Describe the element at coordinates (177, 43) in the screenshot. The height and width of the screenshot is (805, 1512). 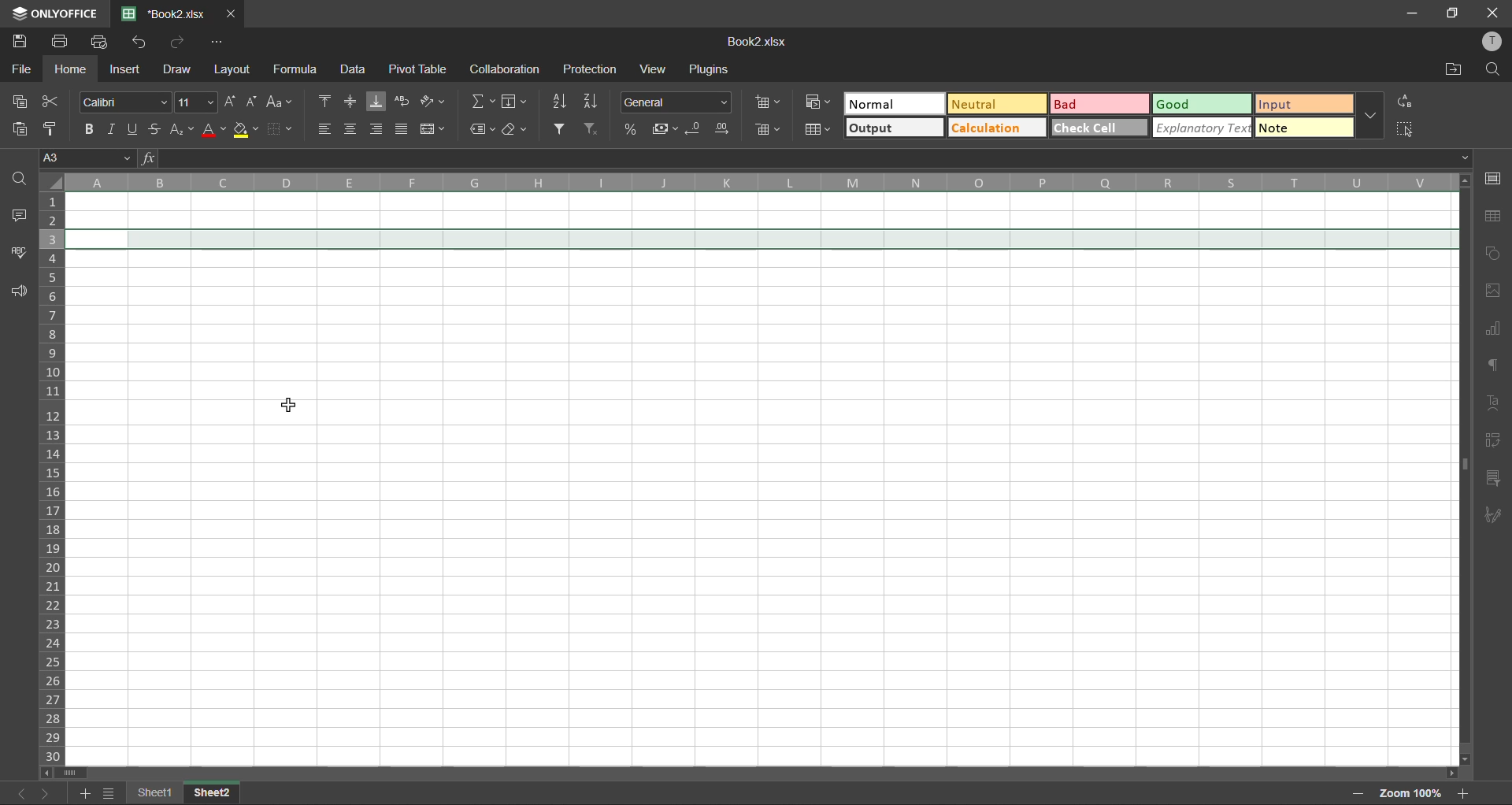
I see `redo` at that location.